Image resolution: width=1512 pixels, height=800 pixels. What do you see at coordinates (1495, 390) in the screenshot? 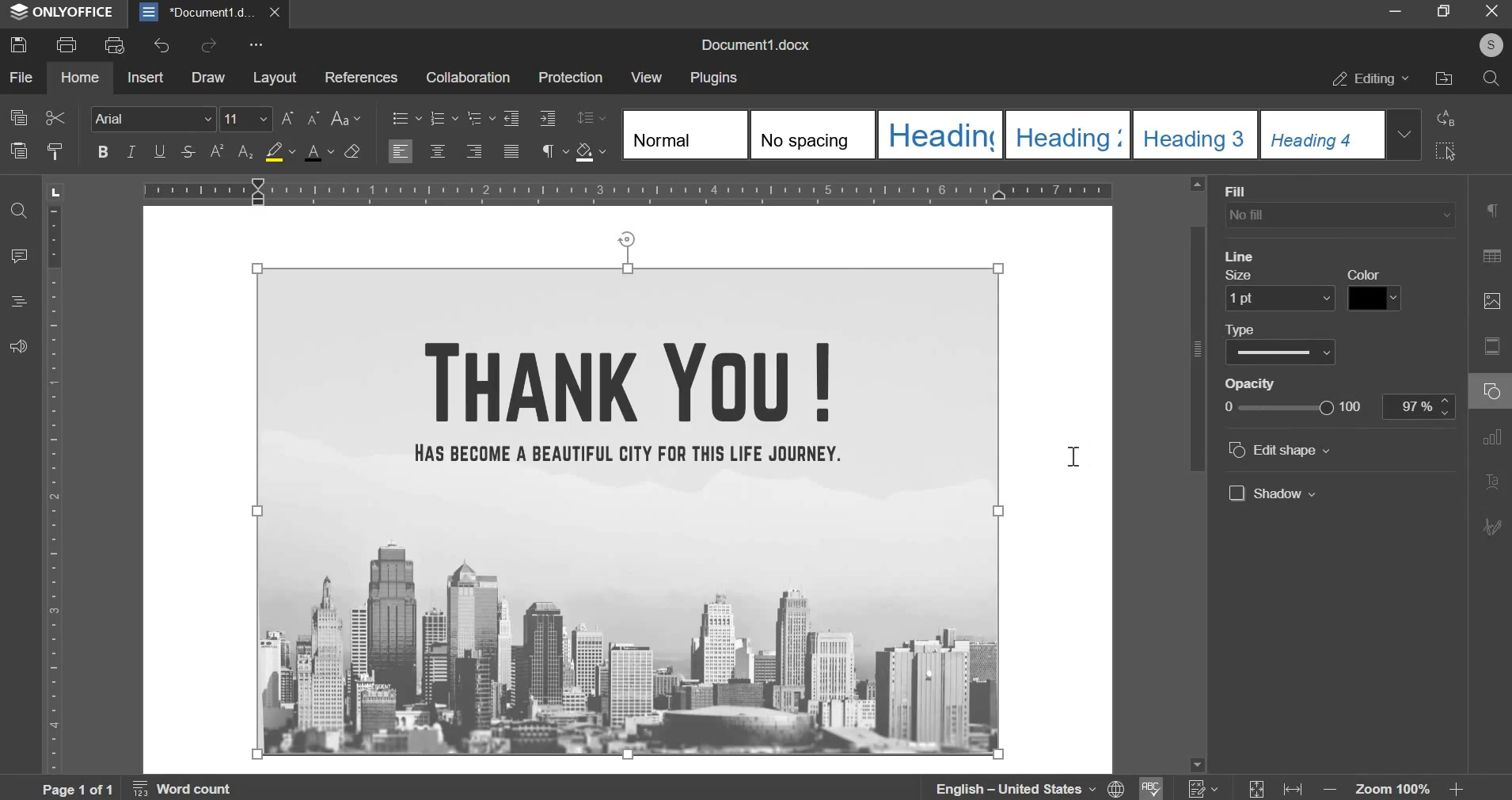
I see `shape settings` at bounding box center [1495, 390].